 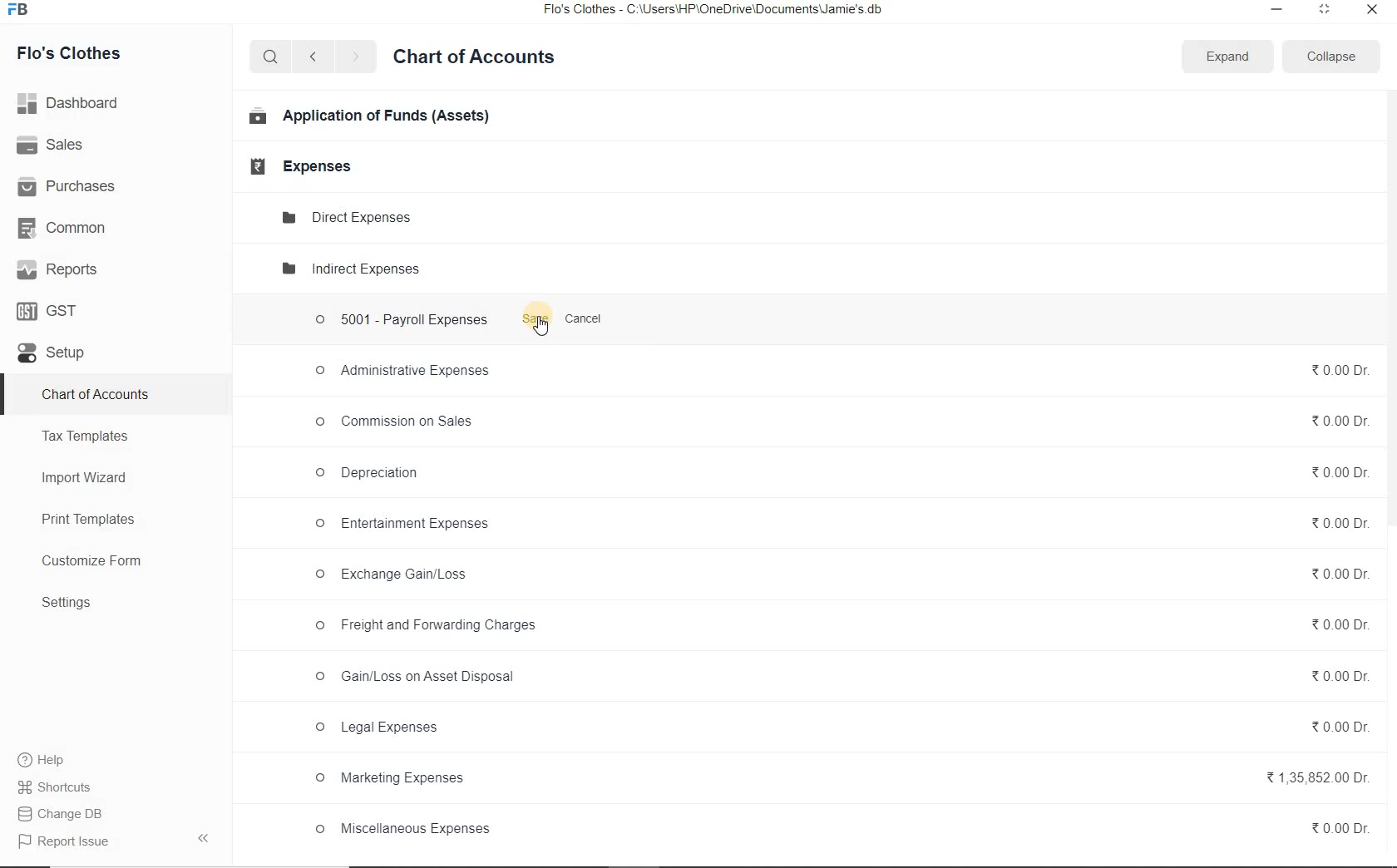 What do you see at coordinates (88, 520) in the screenshot?
I see `Print Templates` at bounding box center [88, 520].